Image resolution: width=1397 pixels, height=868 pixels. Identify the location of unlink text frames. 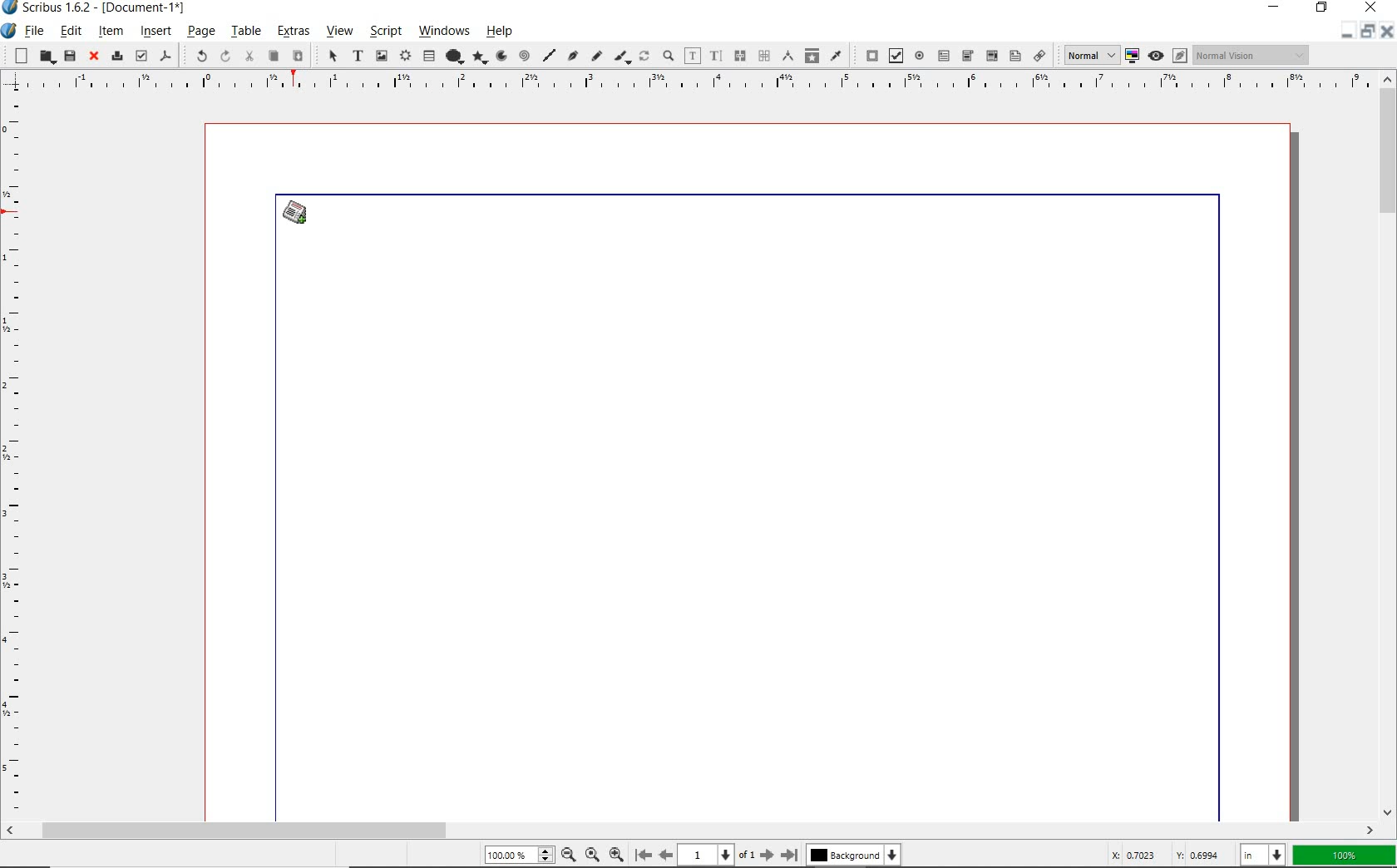
(764, 55).